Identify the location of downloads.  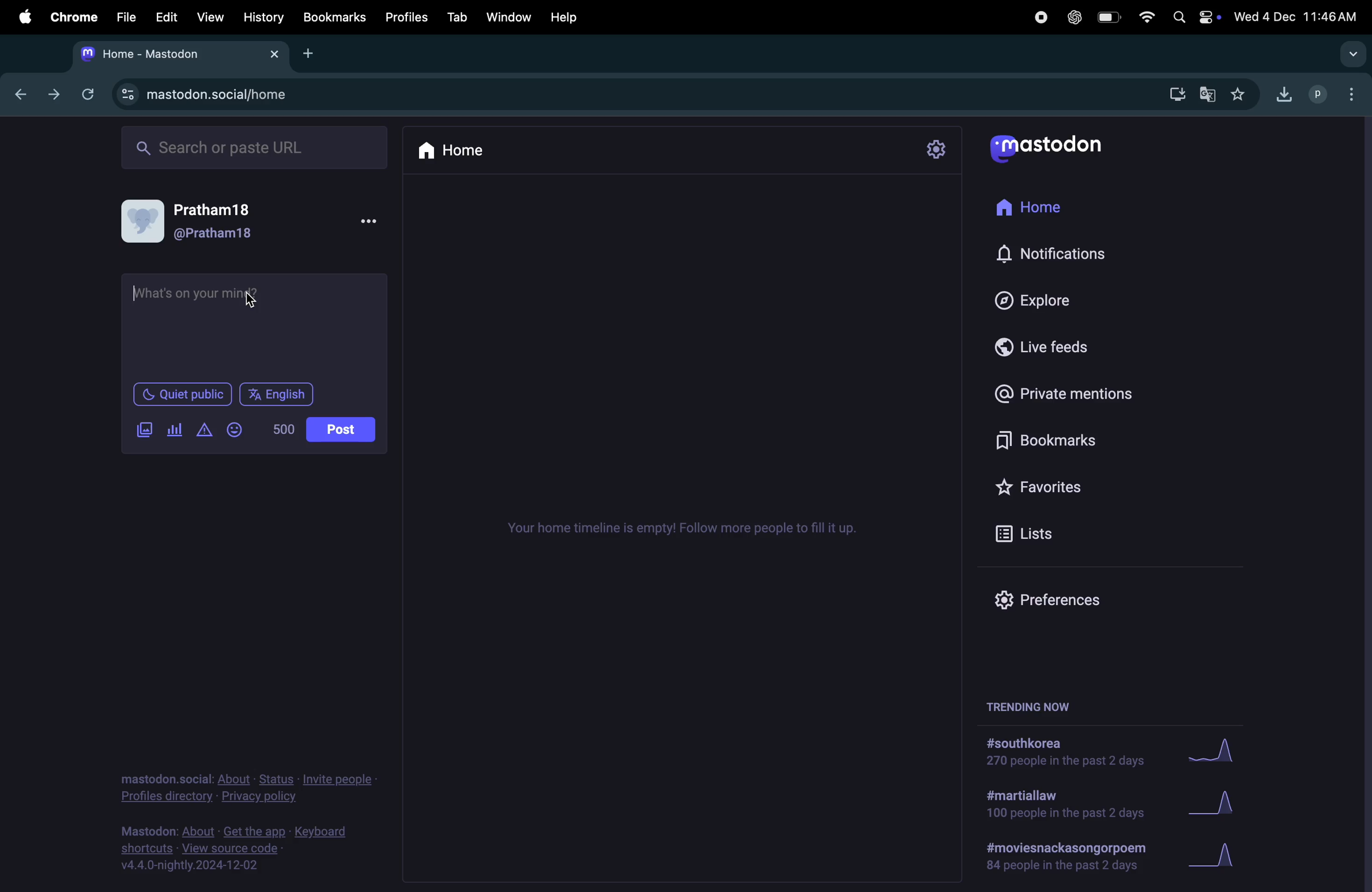
(1177, 93).